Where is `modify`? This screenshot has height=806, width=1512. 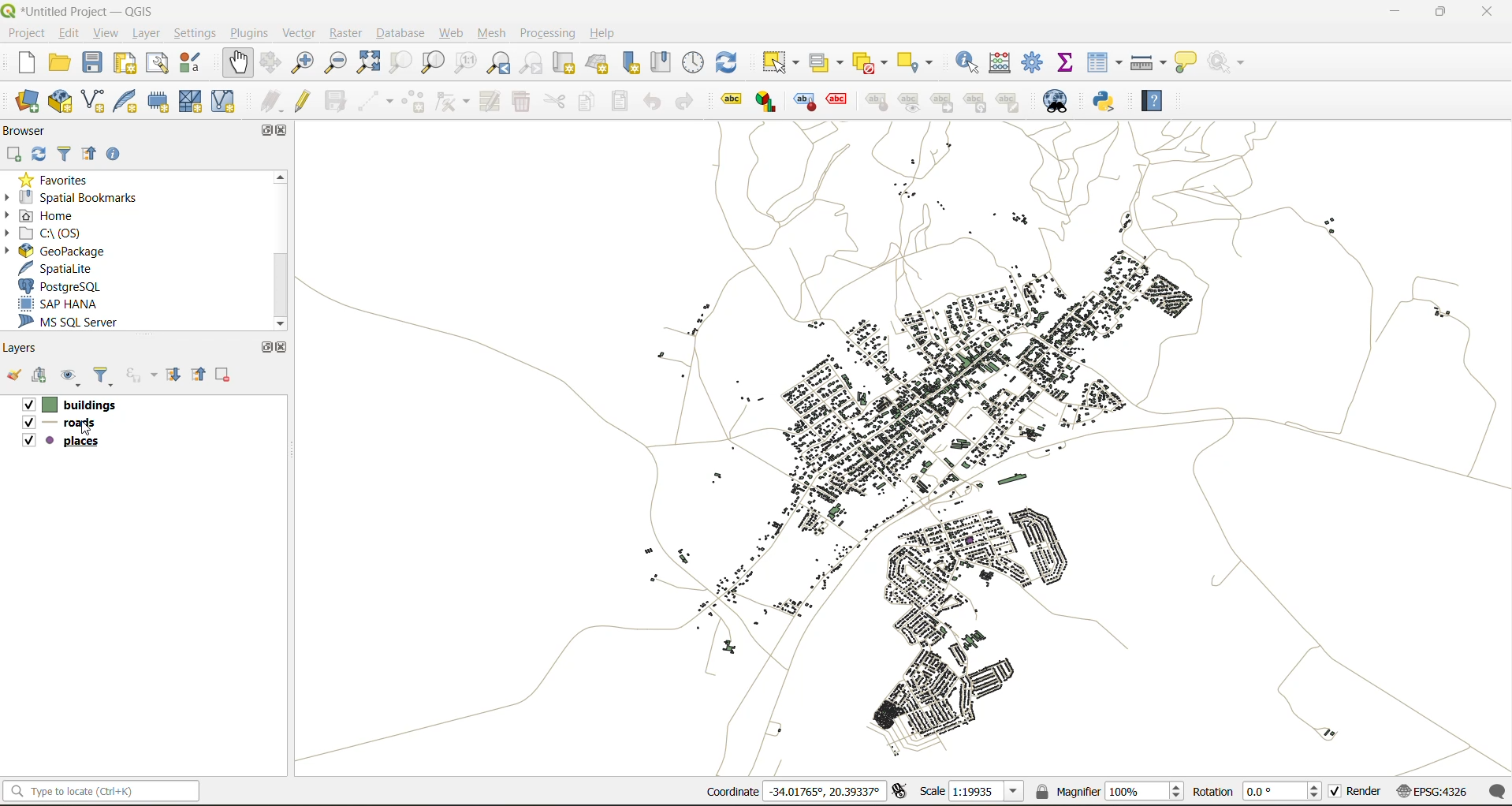 modify is located at coordinates (490, 103).